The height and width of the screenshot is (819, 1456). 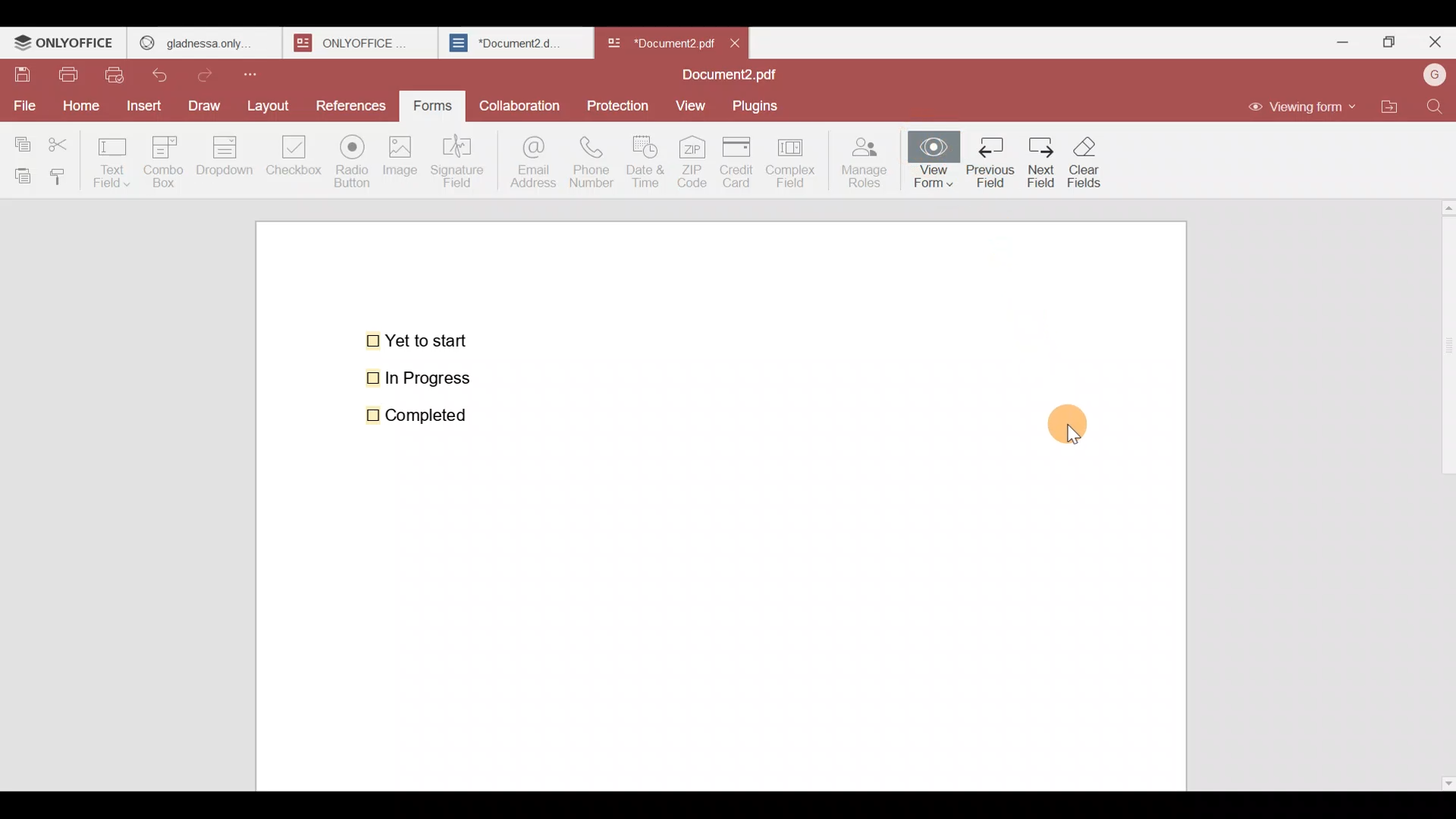 What do you see at coordinates (515, 47) in the screenshot?
I see `Document2.d` at bounding box center [515, 47].